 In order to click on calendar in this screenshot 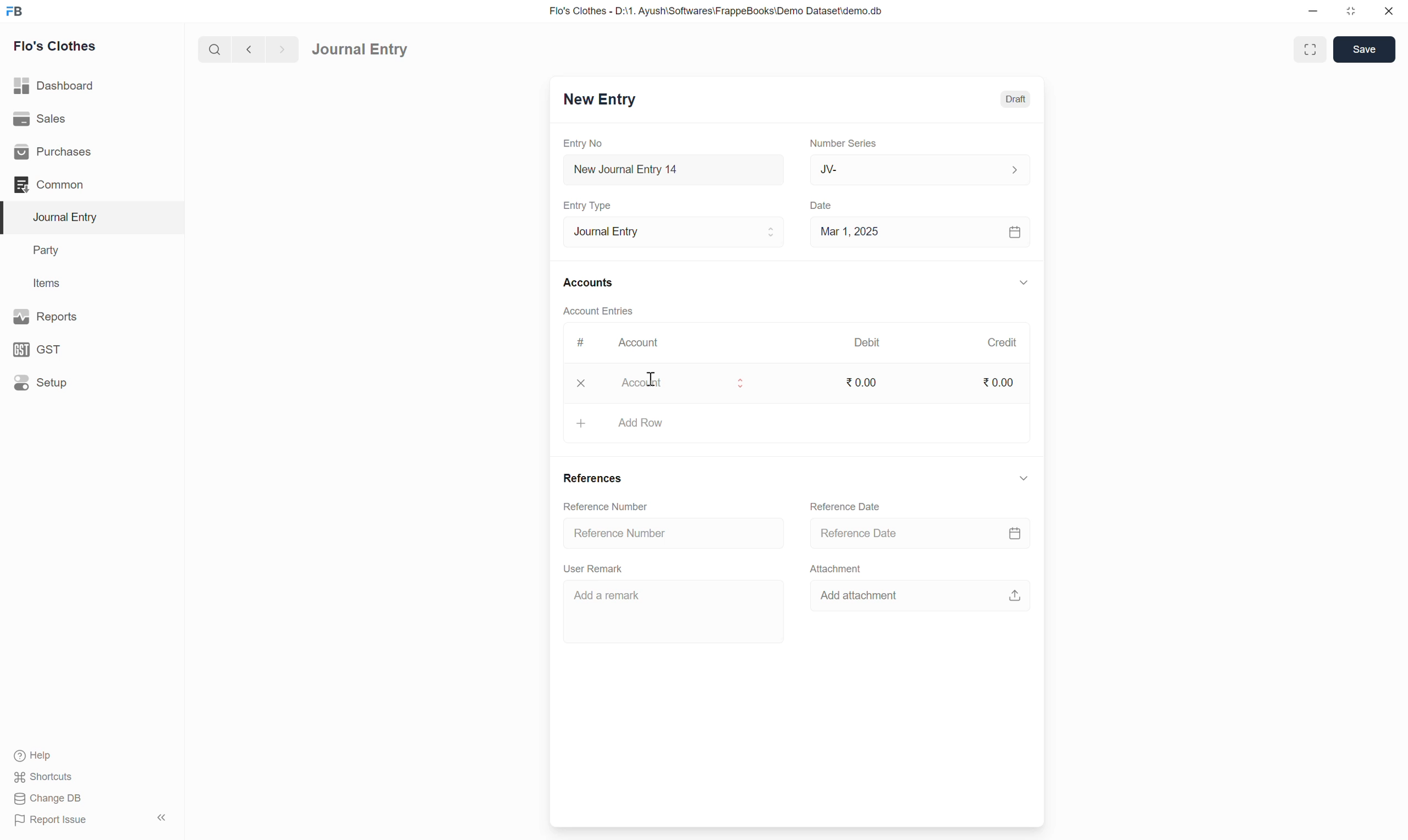, I will do `click(1015, 533)`.